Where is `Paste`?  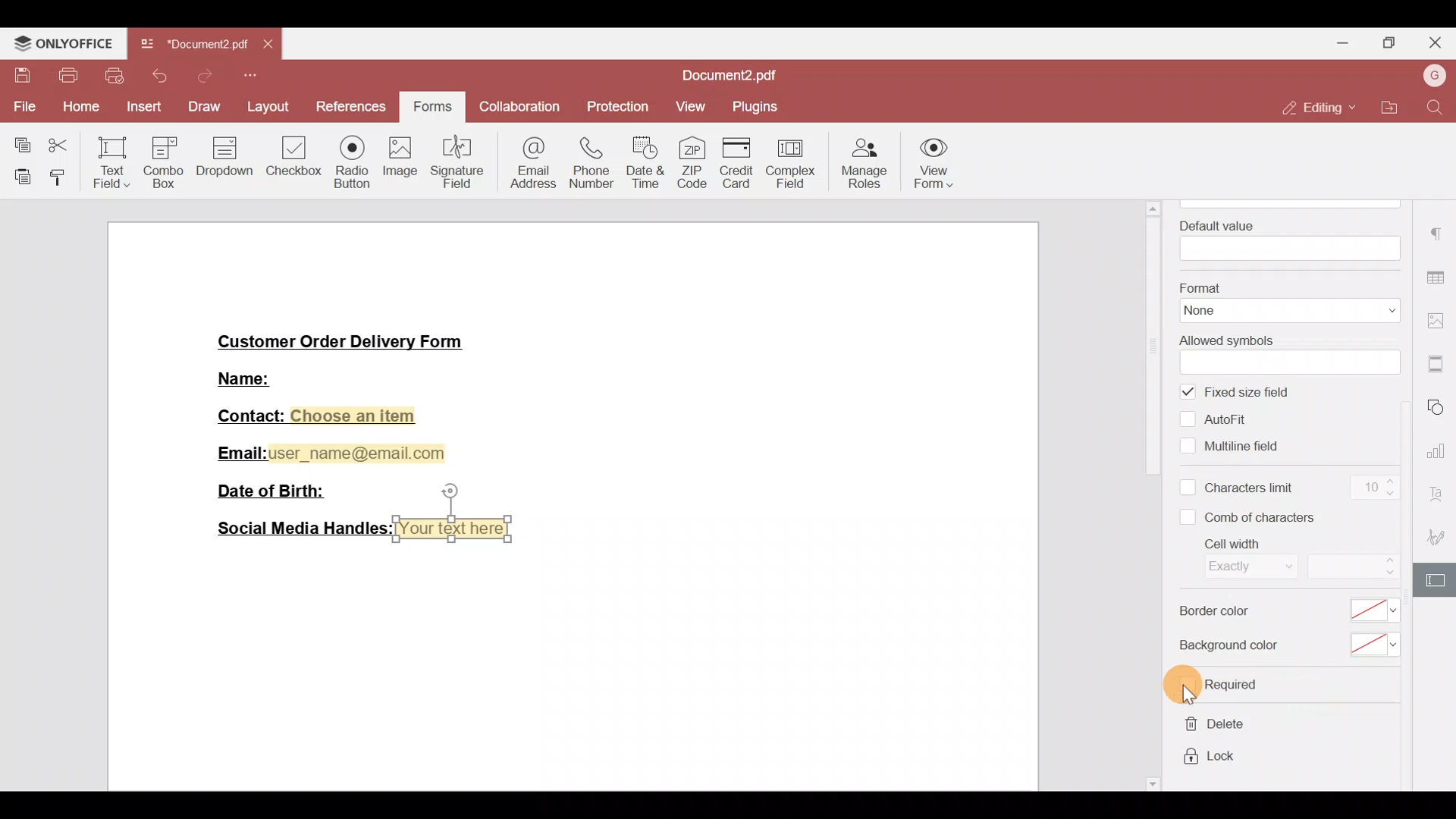
Paste is located at coordinates (17, 177).